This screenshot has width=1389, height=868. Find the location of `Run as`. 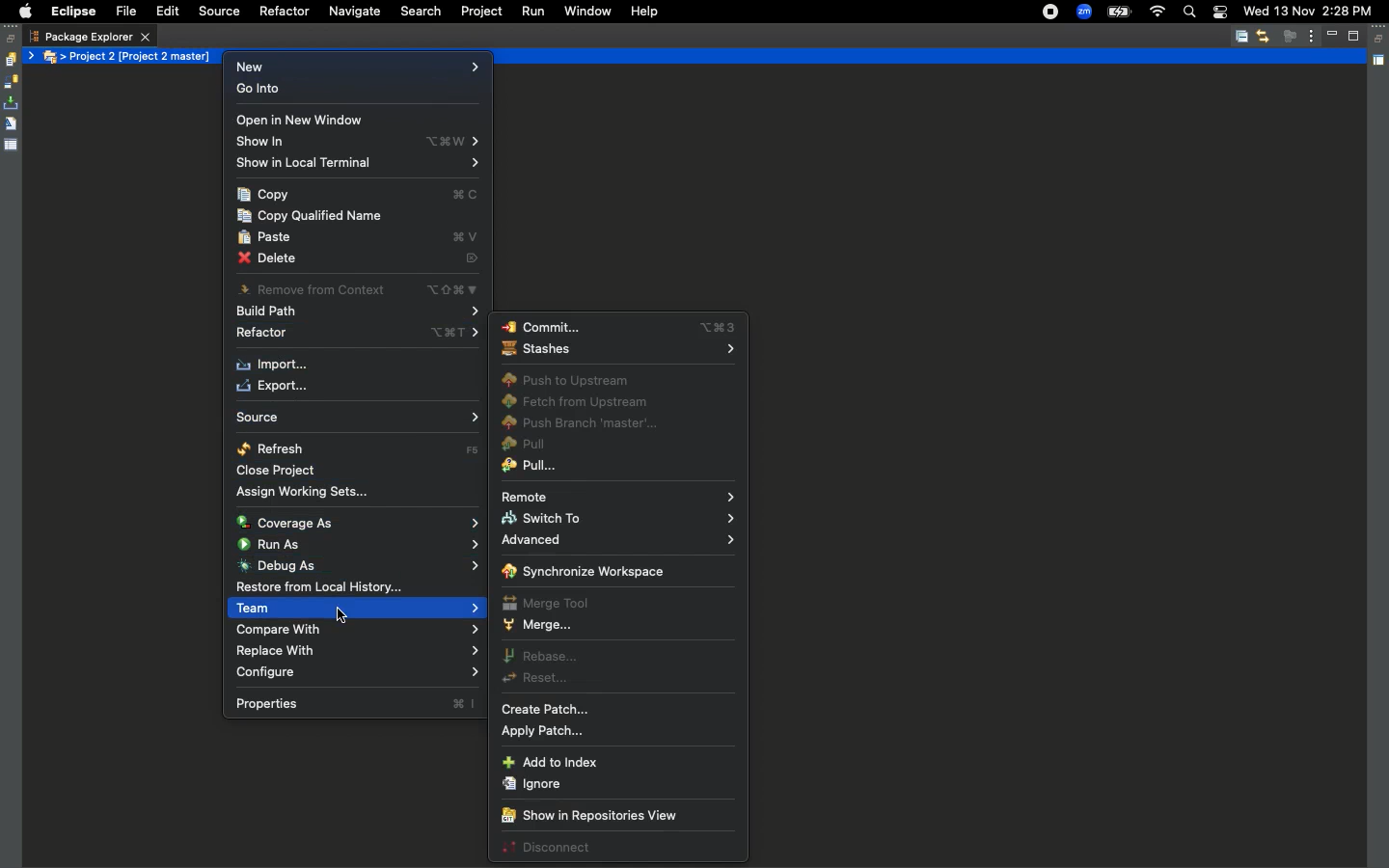

Run as is located at coordinates (359, 543).